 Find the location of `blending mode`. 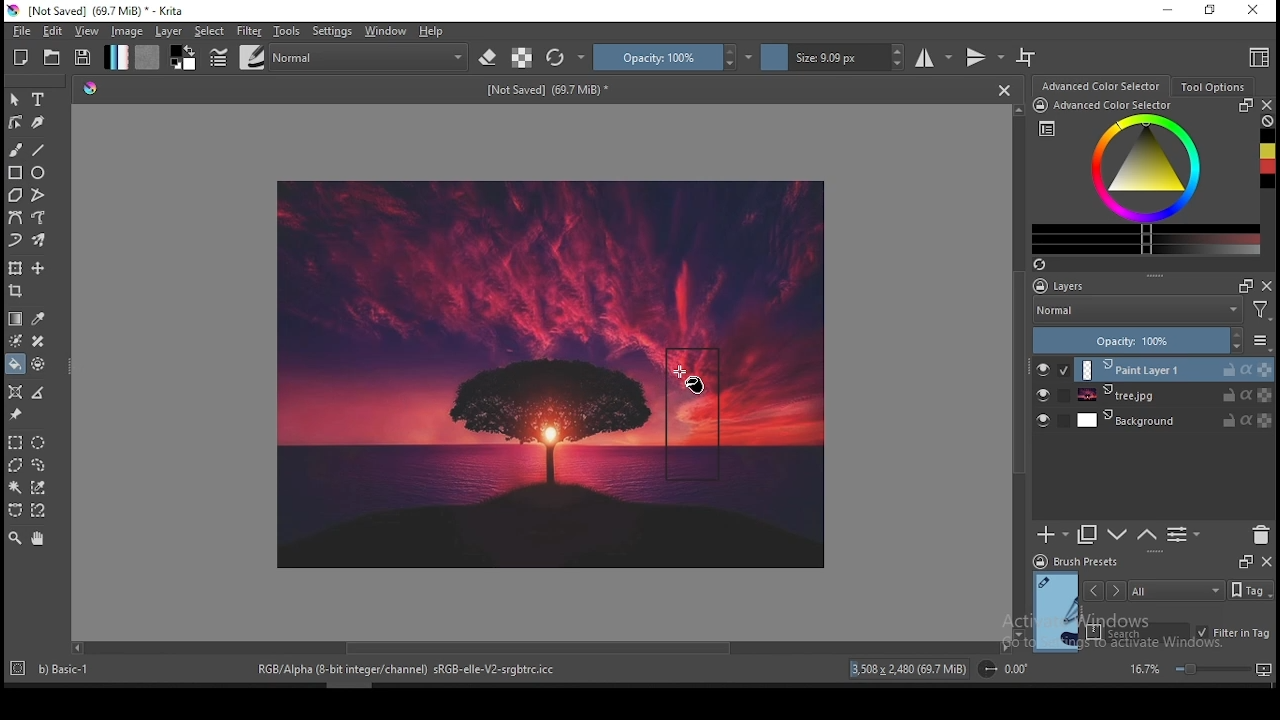

blending mode is located at coordinates (371, 56).